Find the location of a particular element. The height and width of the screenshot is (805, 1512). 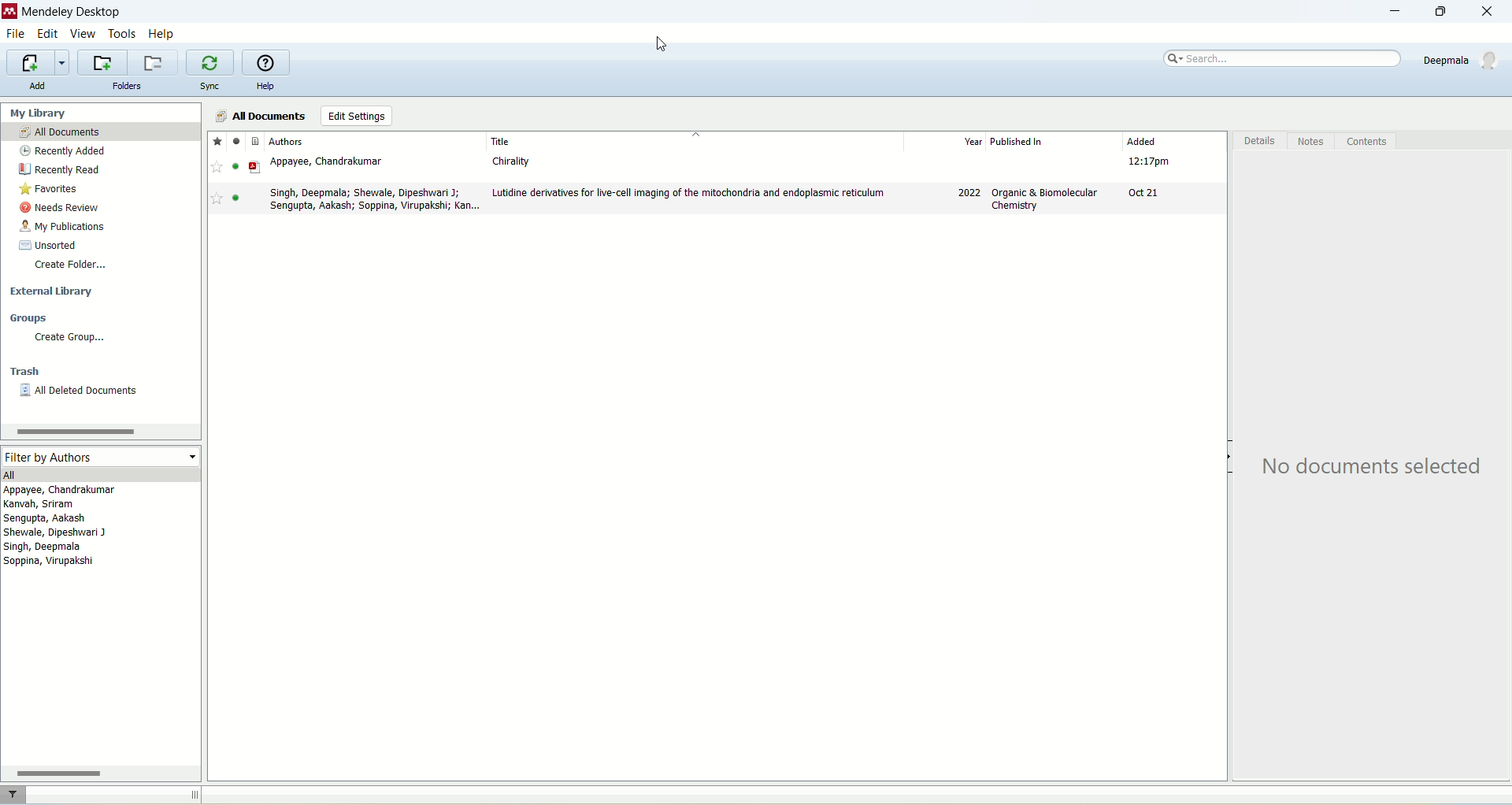

mendeley desktop is located at coordinates (75, 11).